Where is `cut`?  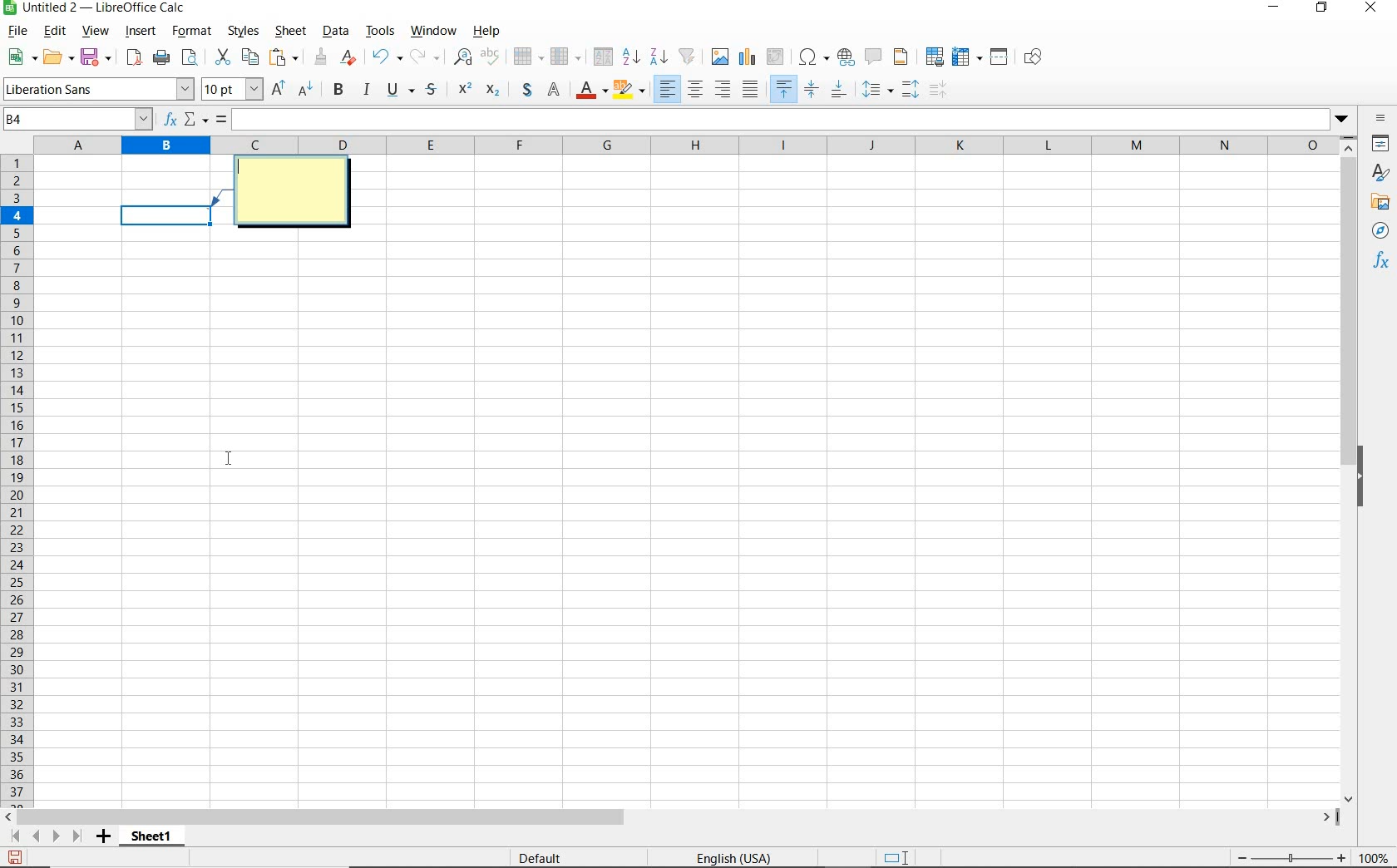
cut is located at coordinates (224, 56).